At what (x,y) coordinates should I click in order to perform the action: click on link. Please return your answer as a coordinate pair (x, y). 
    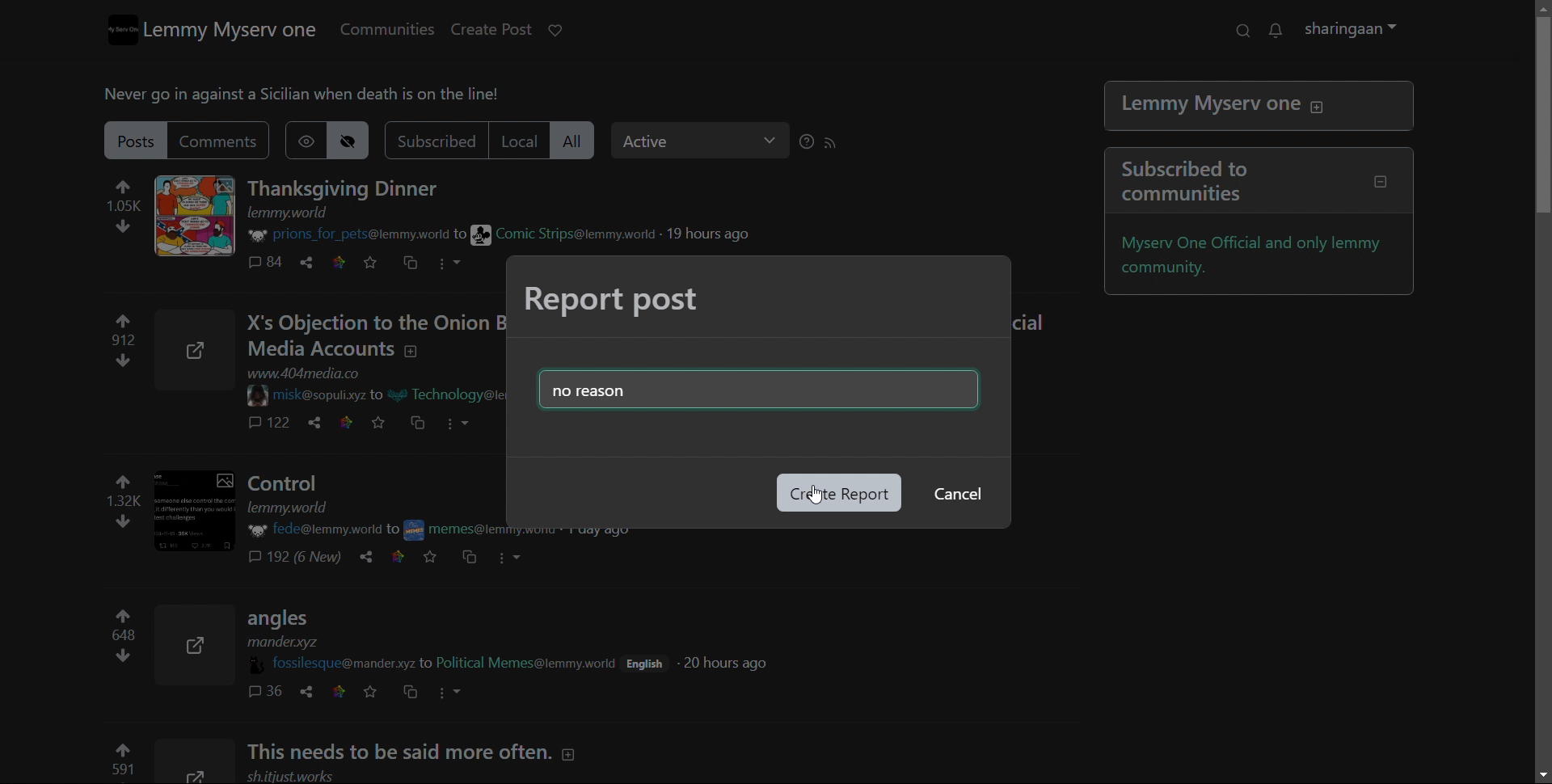
    Looking at the image, I should click on (403, 555).